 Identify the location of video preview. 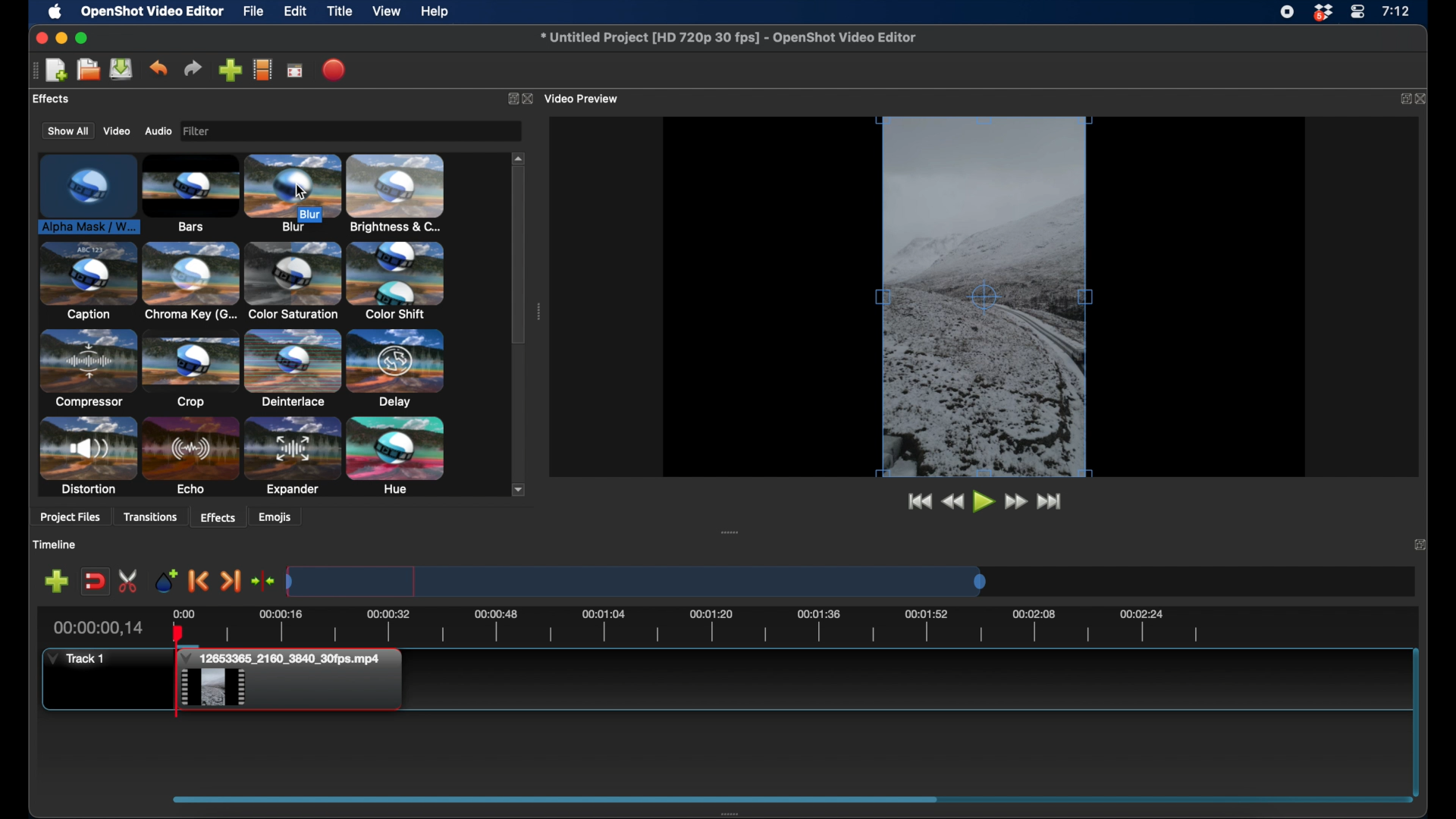
(586, 98).